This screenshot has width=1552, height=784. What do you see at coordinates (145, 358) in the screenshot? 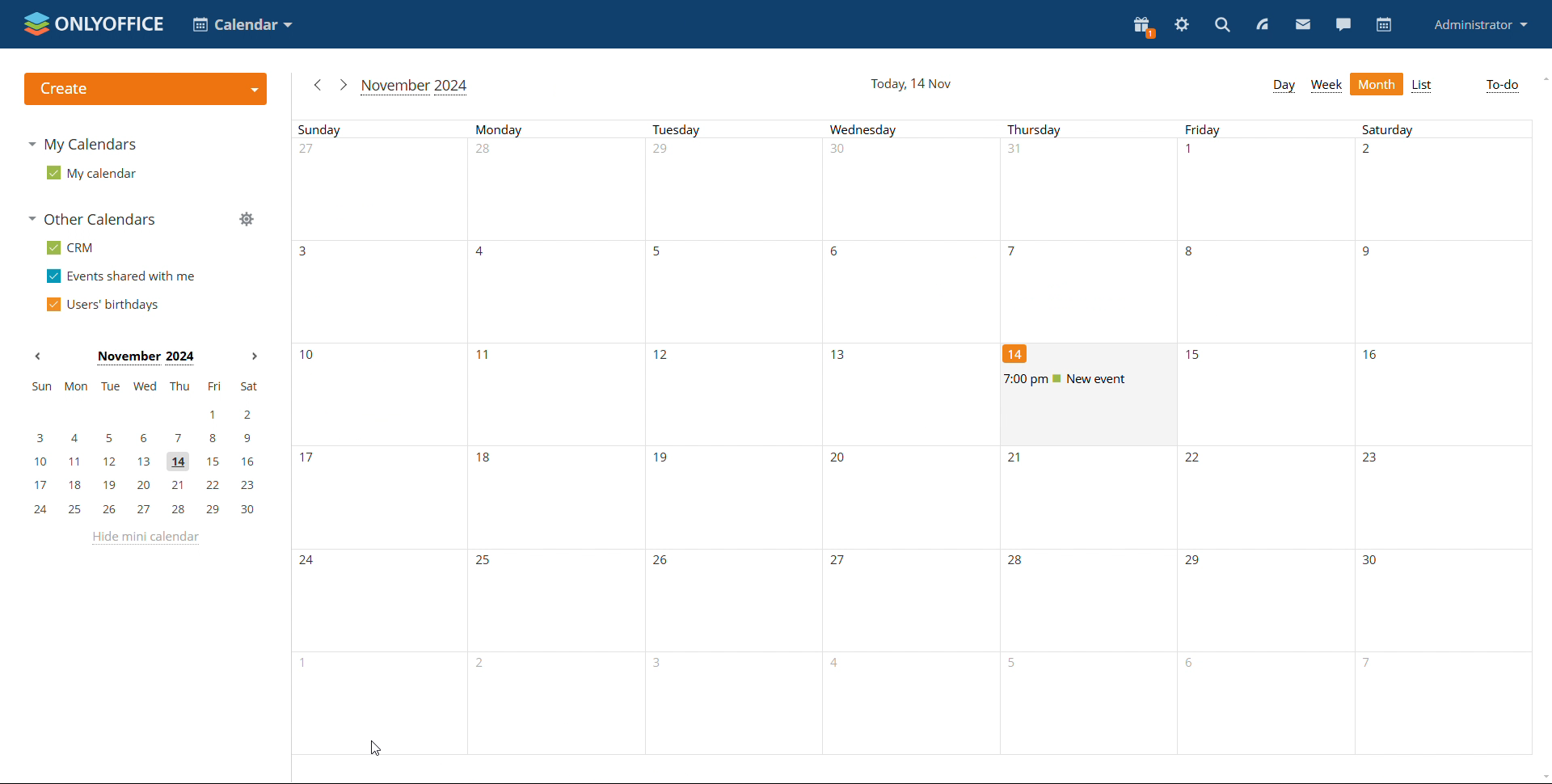
I see `current month` at bounding box center [145, 358].